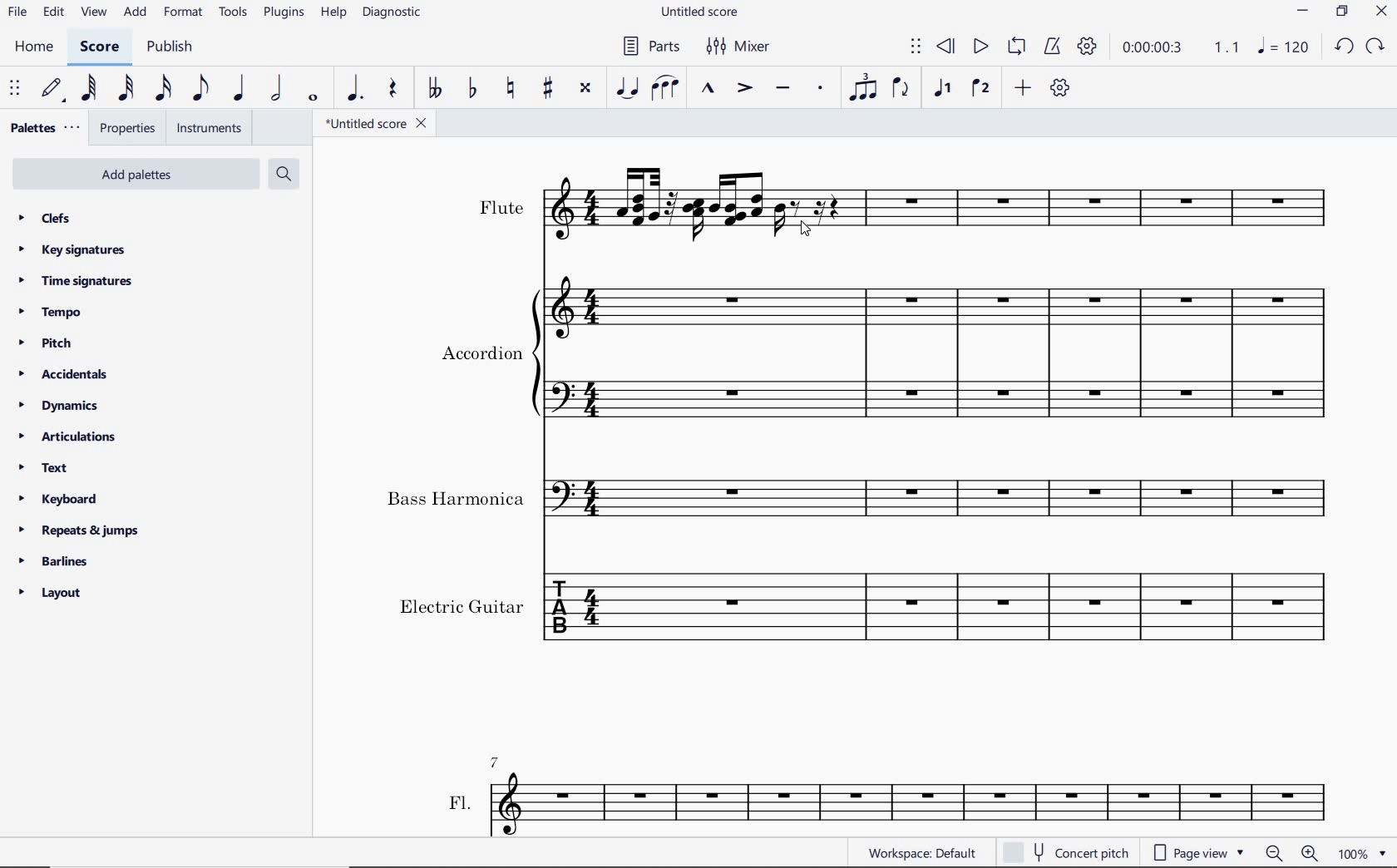 The width and height of the screenshot is (1397, 868). I want to click on tuplet, so click(864, 89).